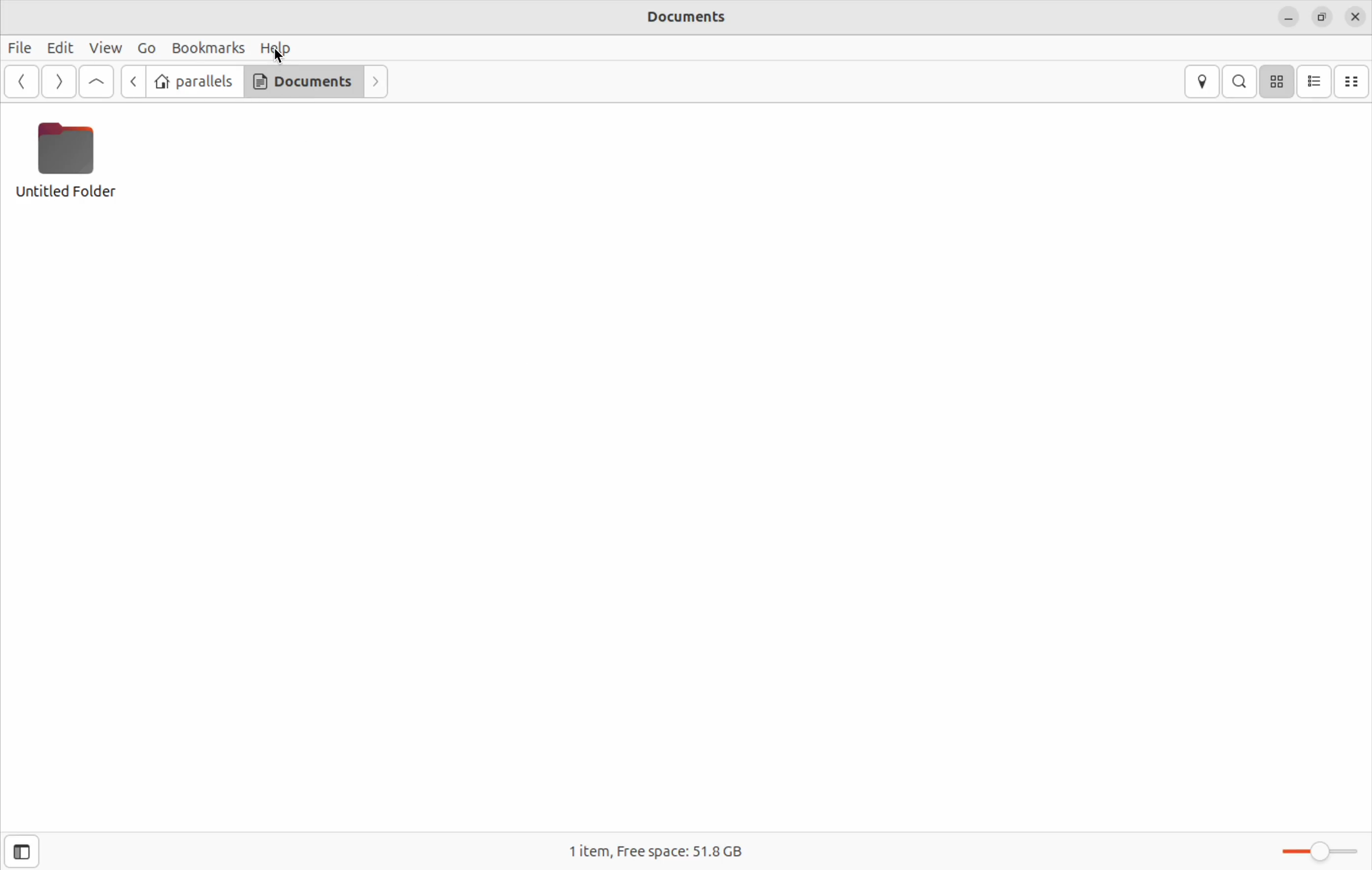 Image resolution: width=1372 pixels, height=870 pixels. What do you see at coordinates (103, 48) in the screenshot?
I see `view` at bounding box center [103, 48].